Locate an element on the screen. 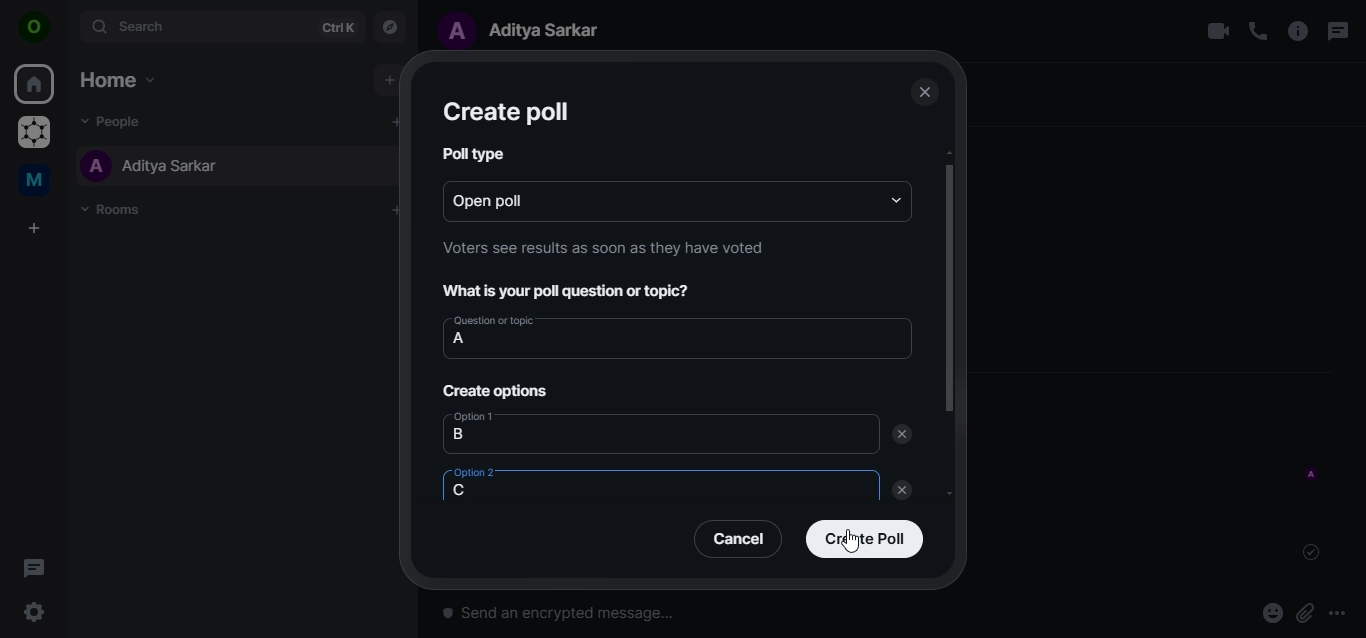 The width and height of the screenshot is (1366, 638). Option 2 is located at coordinates (475, 473).